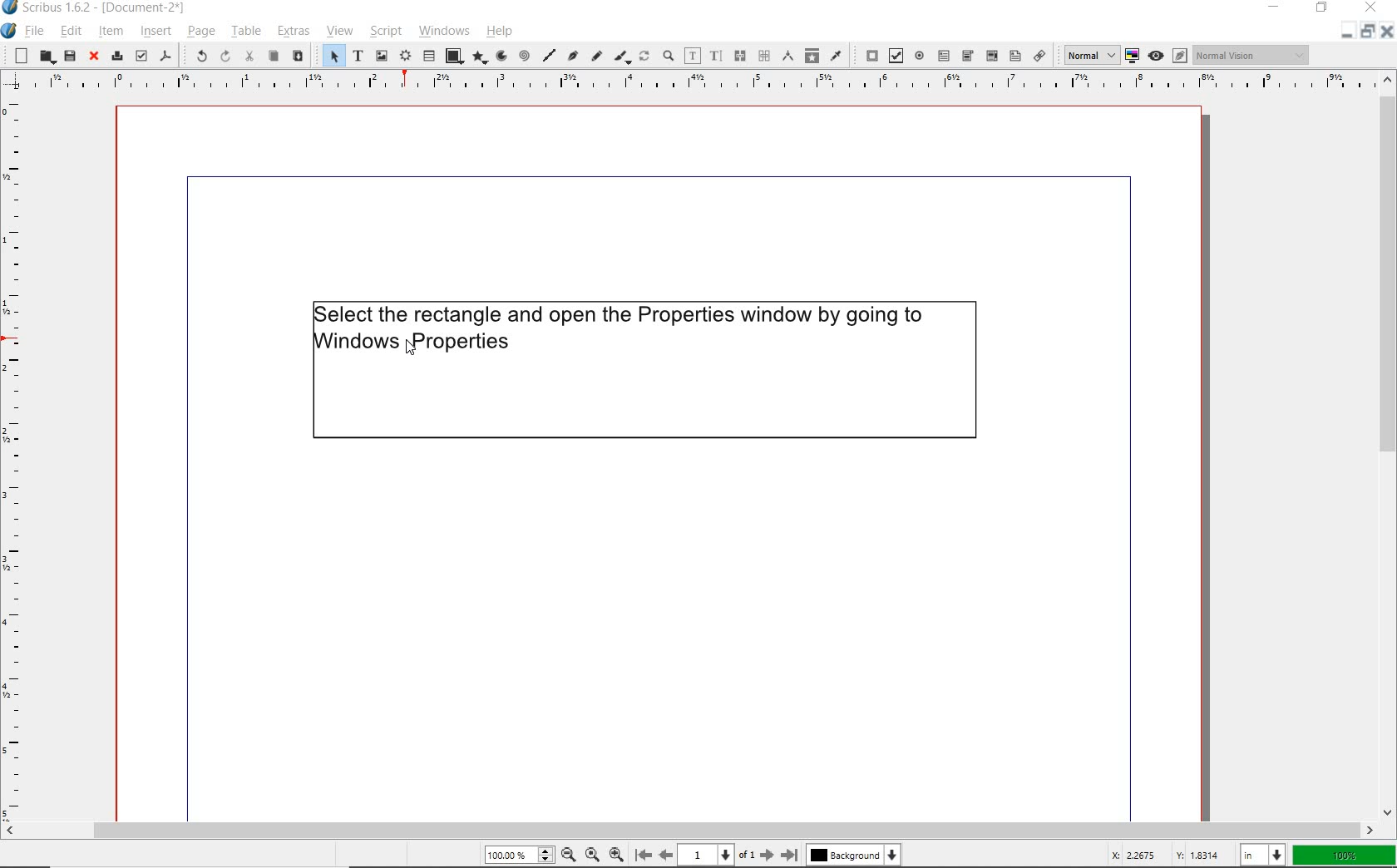  What do you see at coordinates (100, 8) in the screenshot?
I see `scribus 1.6.2 - [Document-2*]` at bounding box center [100, 8].